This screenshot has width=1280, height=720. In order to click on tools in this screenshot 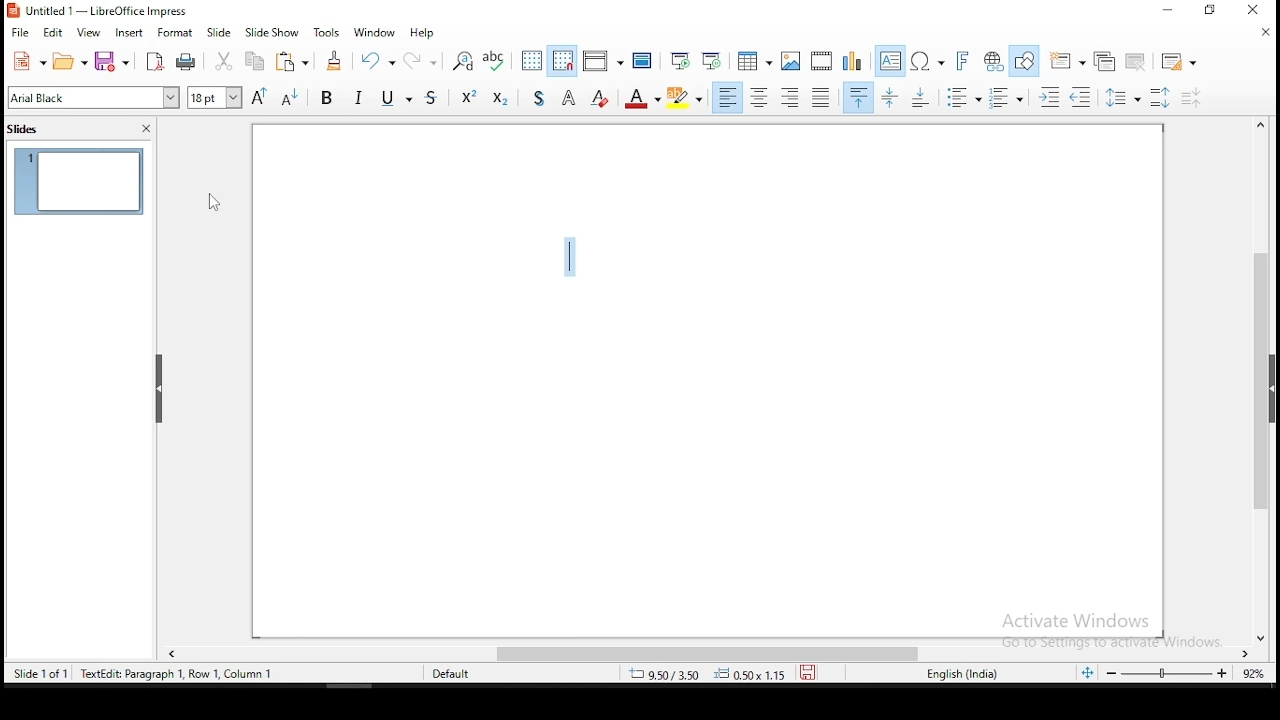, I will do `click(328, 31)`.